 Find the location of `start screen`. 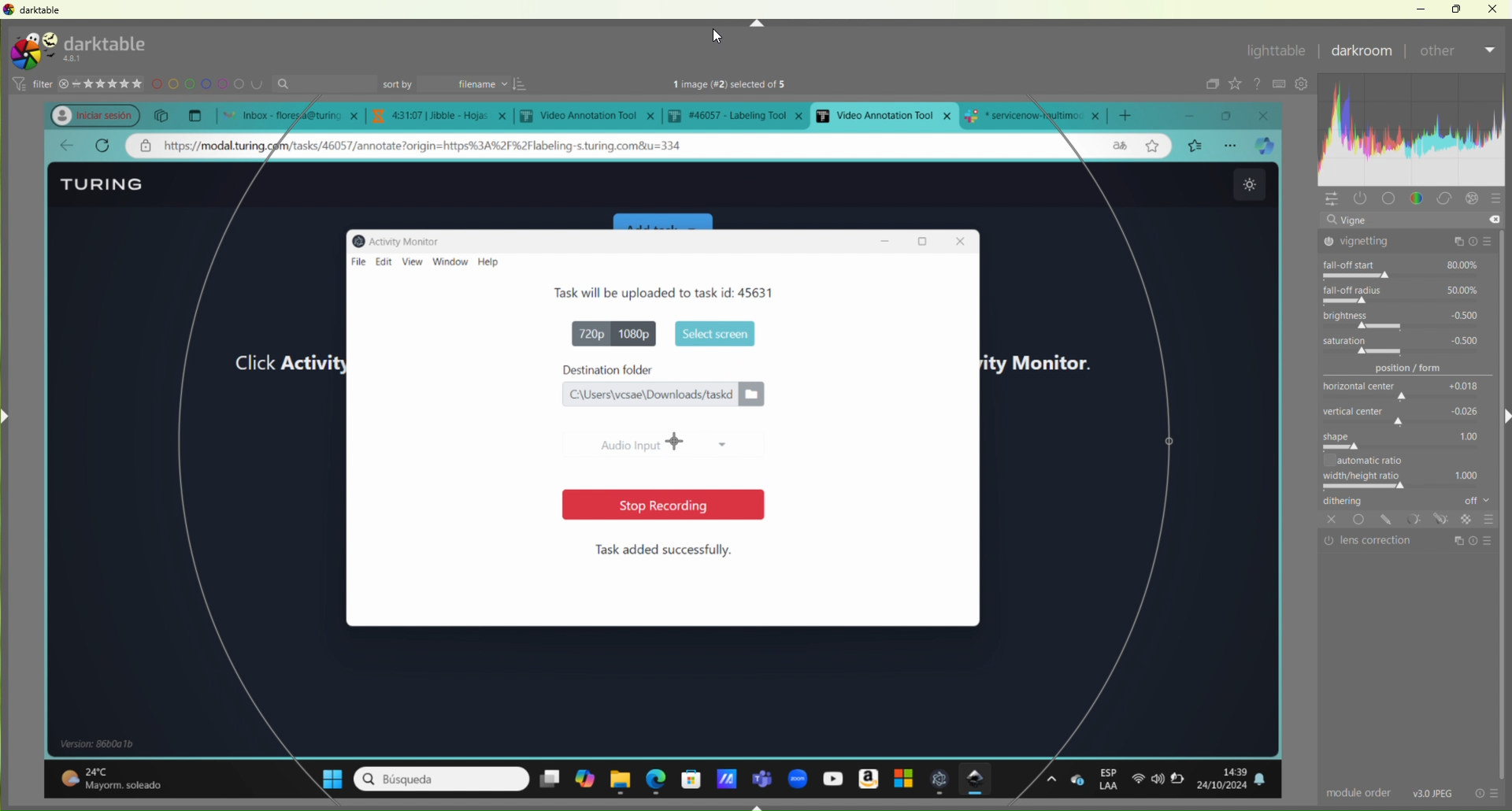

start screen is located at coordinates (712, 332).